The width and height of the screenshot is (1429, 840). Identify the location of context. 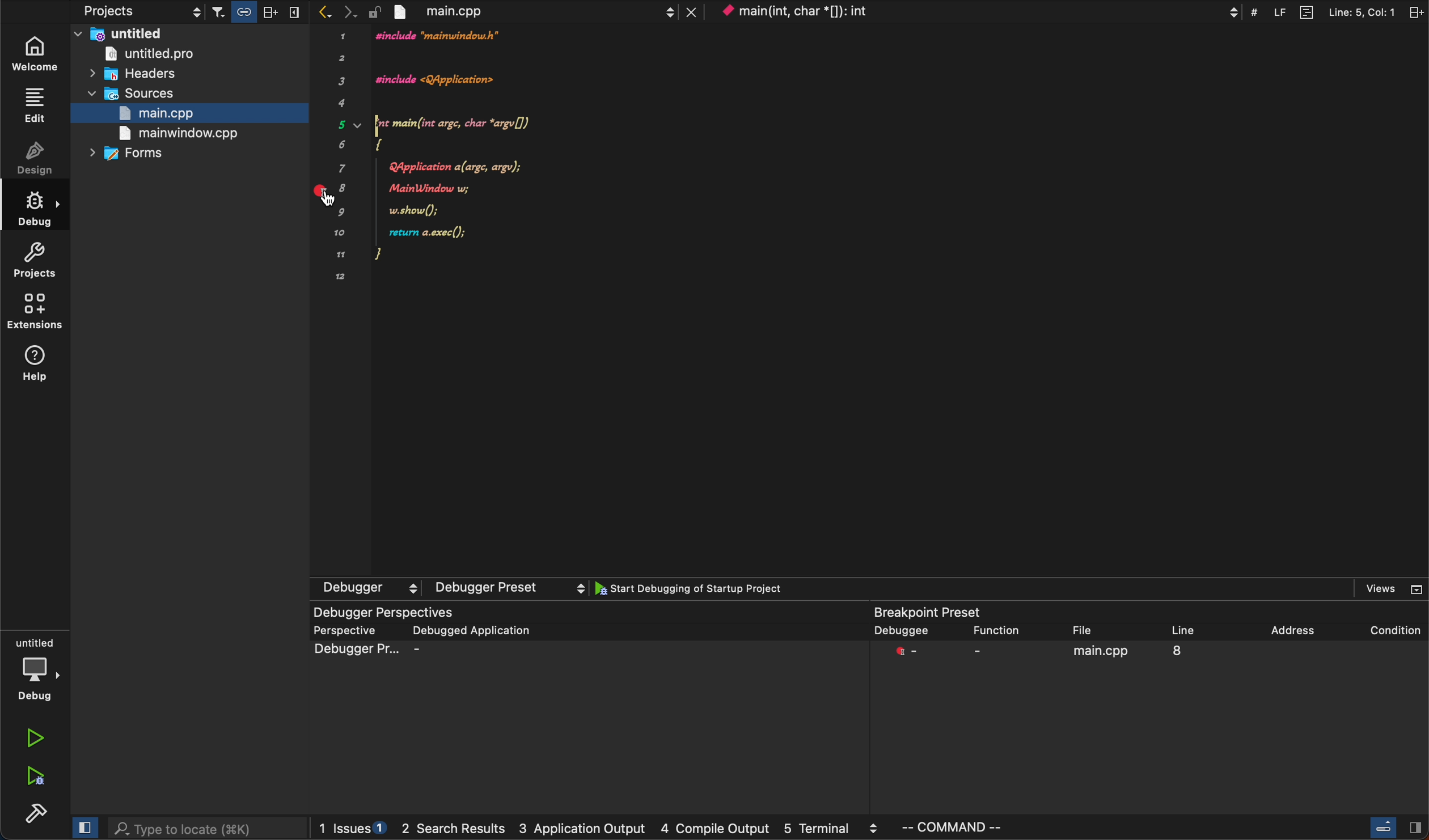
(978, 11).